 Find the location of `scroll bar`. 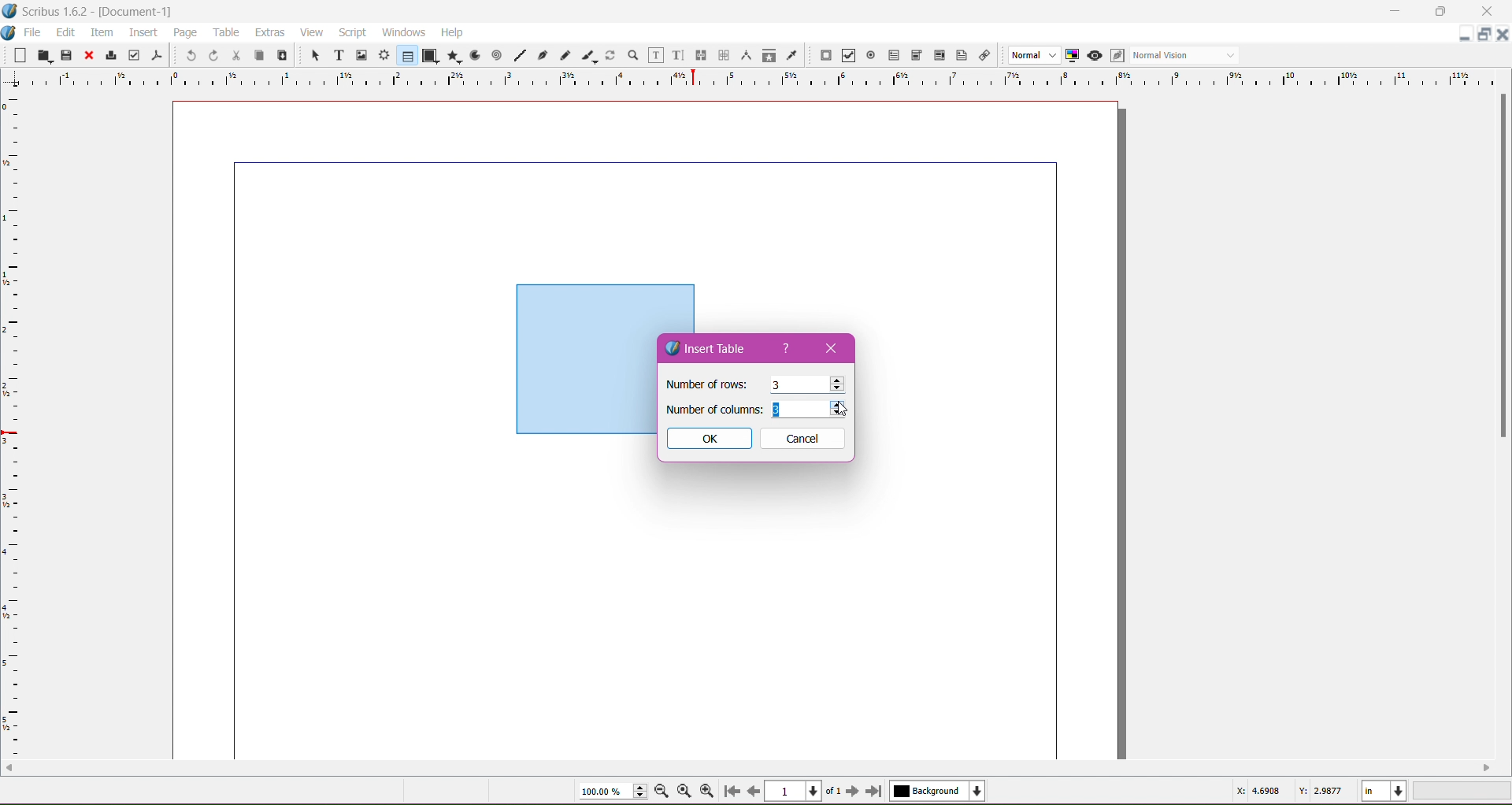

scroll bar is located at coordinates (1498, 421).